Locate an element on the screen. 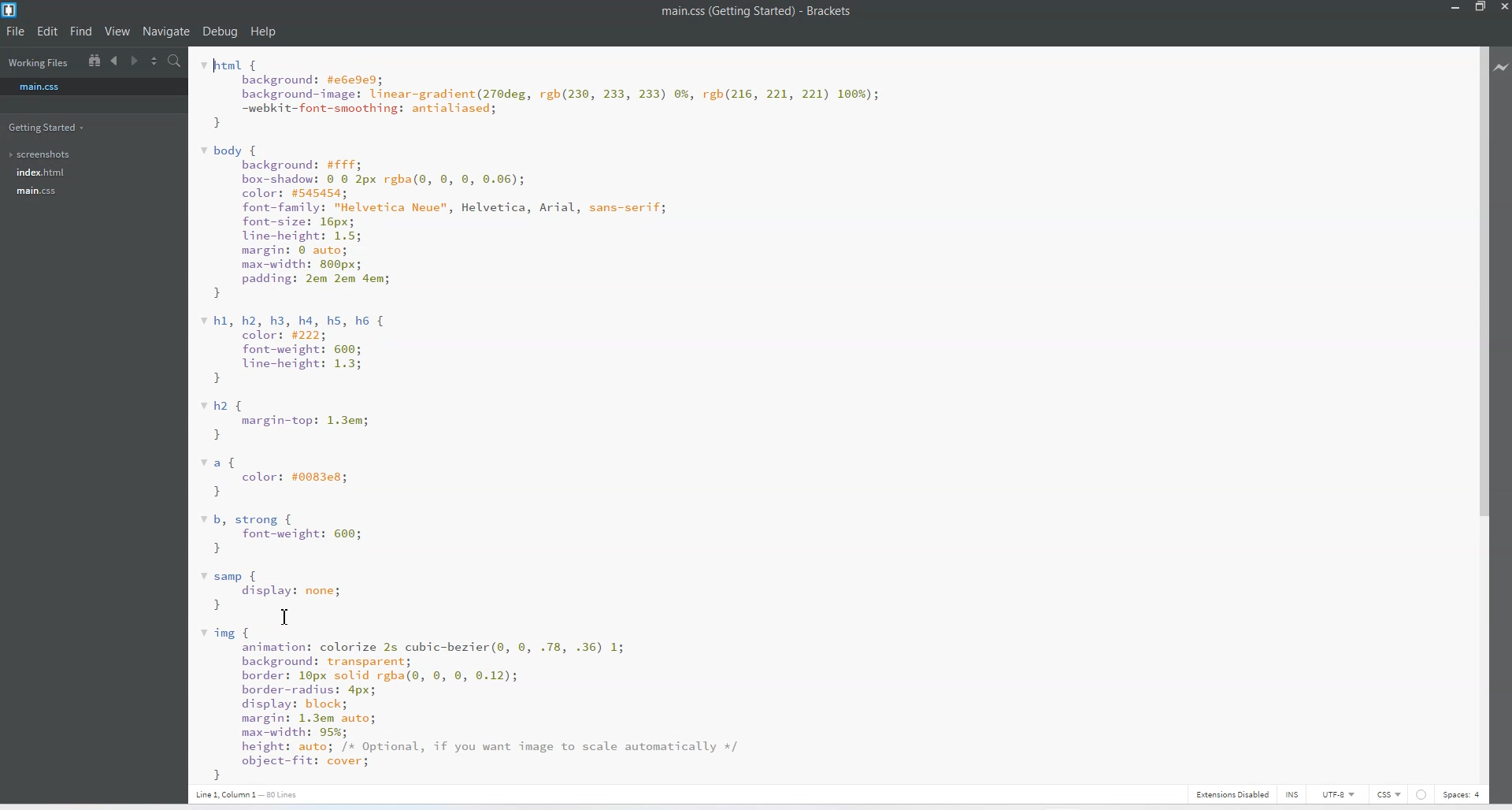  CSS is located at coordinates (1389, 793).